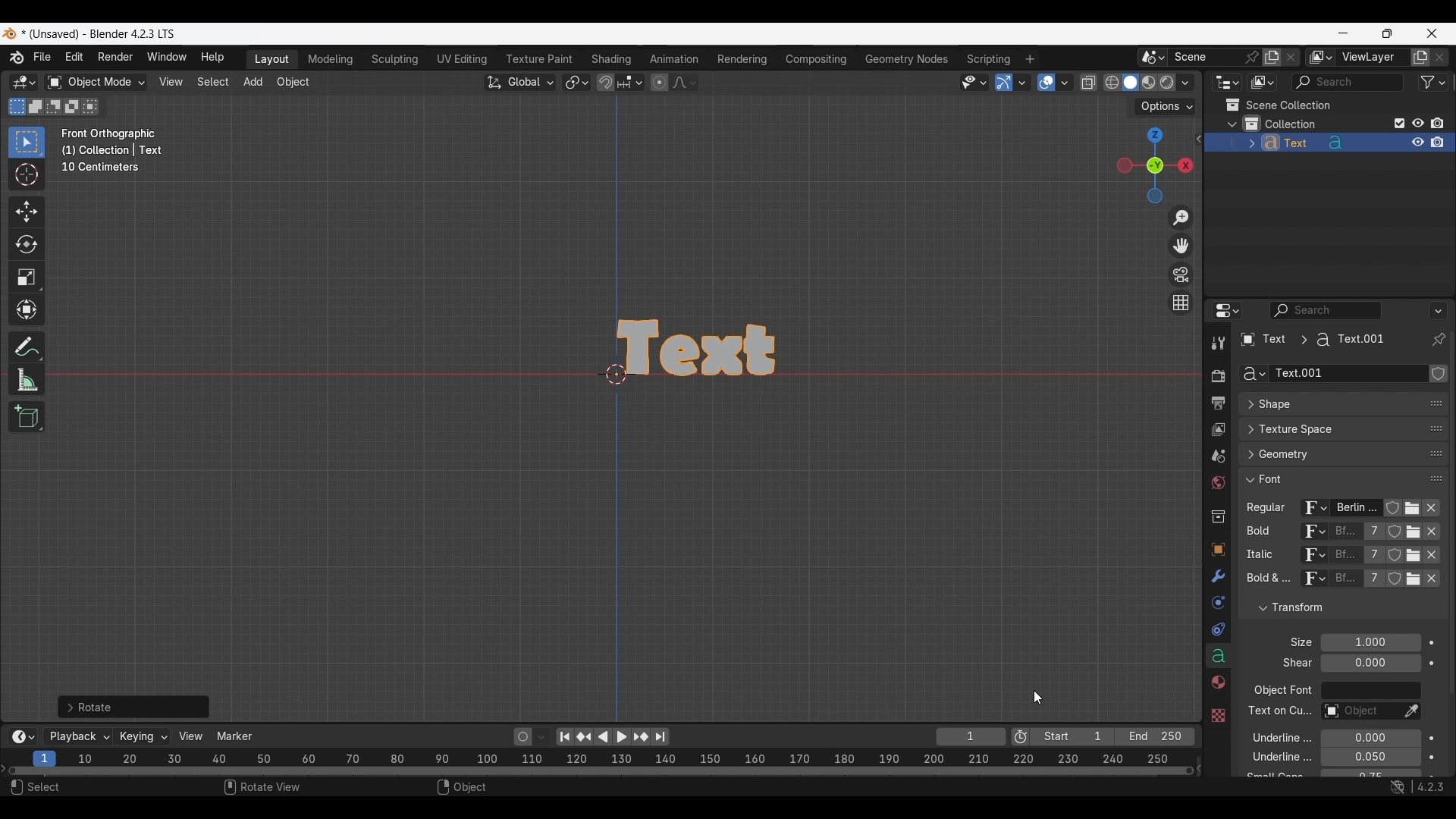 The width and height of the screenshot is (1456, 819). I want to click on Add cube, so click(27, 417).